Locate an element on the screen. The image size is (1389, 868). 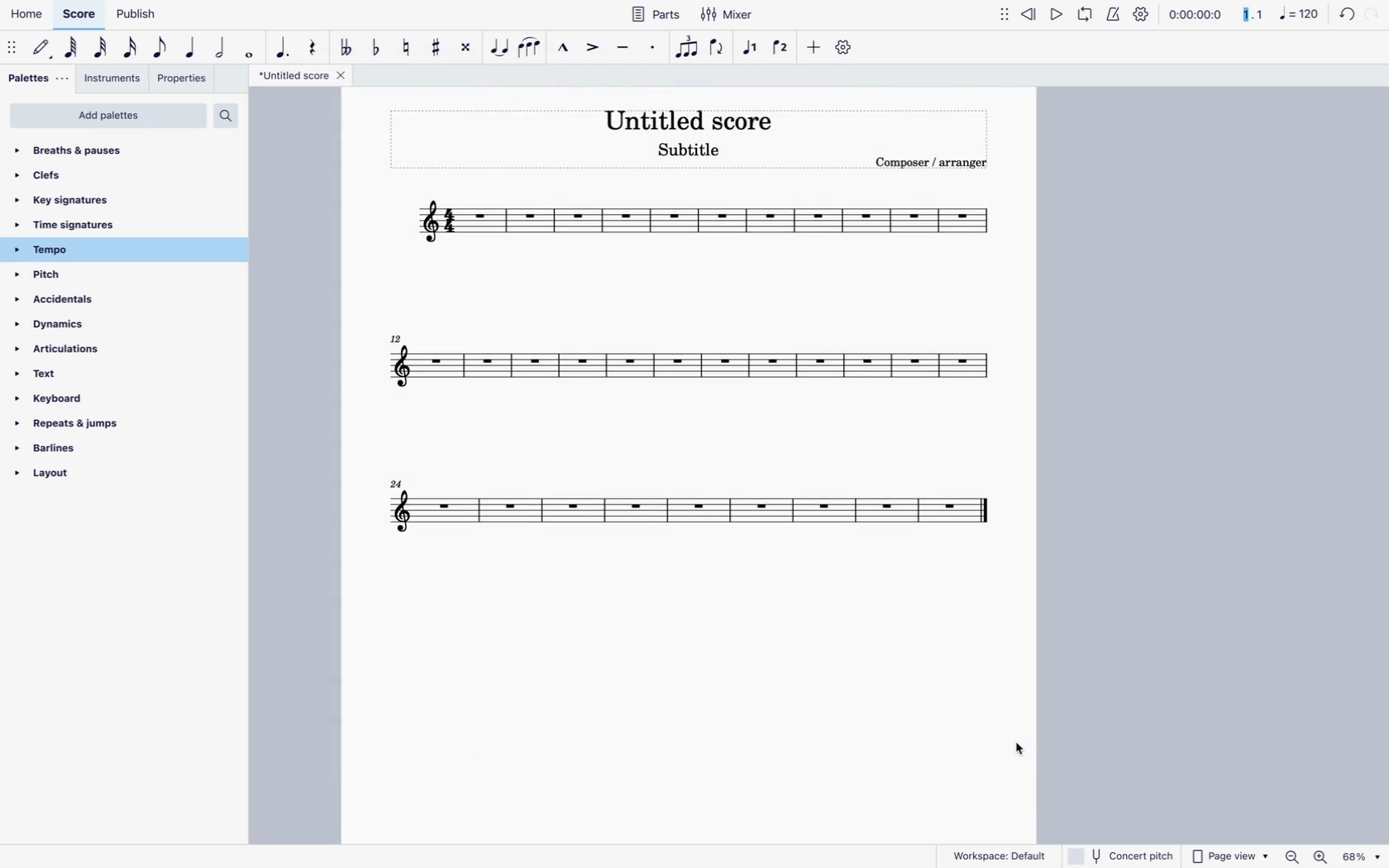
key signatures is located at coordinates (77, 200).